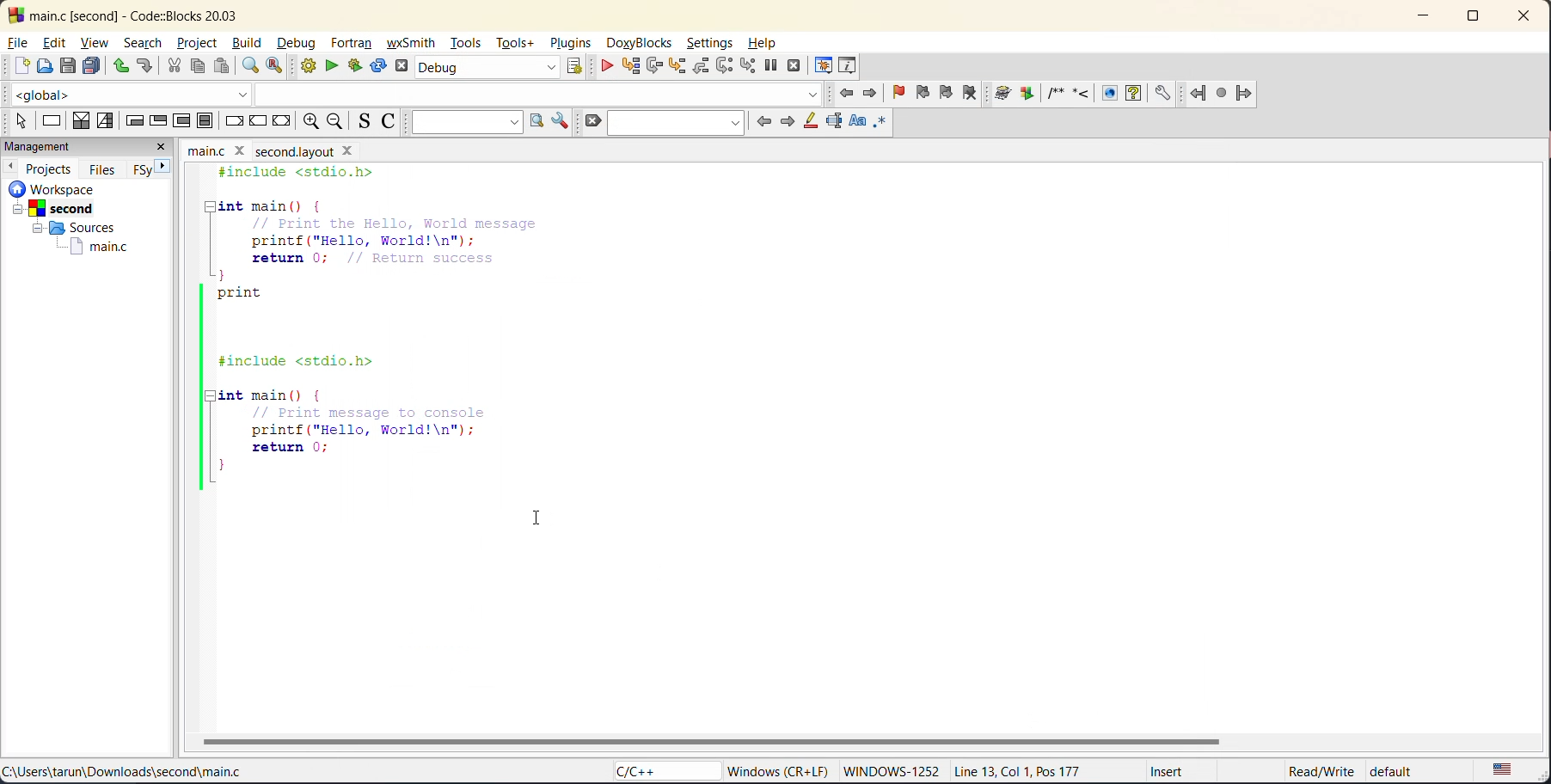 Image resolution: width=1551 pixels, height=784 pixels. I want to click on redo, so click(148, 68).